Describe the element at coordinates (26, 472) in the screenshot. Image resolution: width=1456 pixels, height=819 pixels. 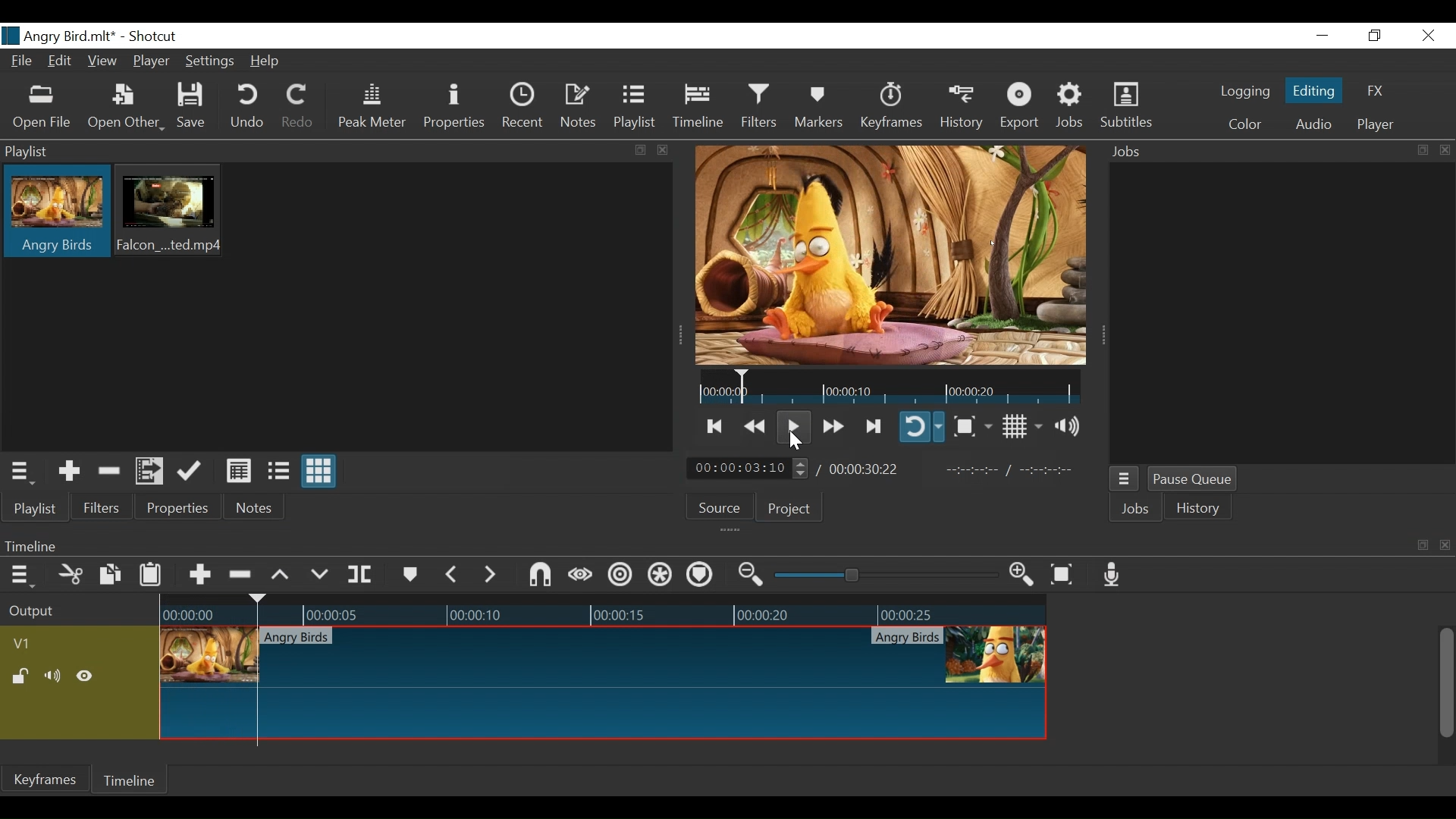
I see `Playlist Menu` at that location.